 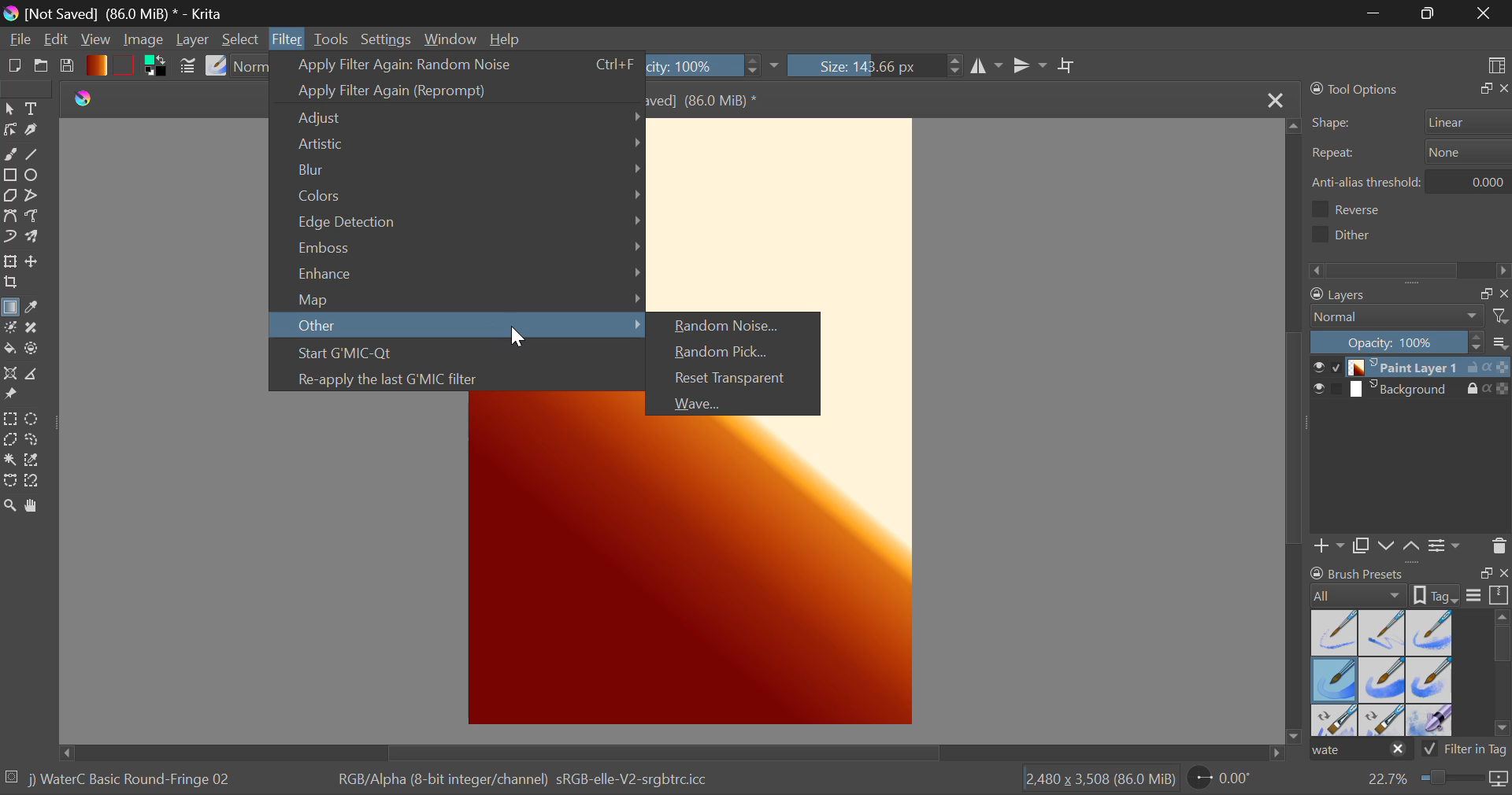 What do you see at coordinates (1068, 67) in the screenshot?
I see `Crop` at bounding box center [1068, 67].